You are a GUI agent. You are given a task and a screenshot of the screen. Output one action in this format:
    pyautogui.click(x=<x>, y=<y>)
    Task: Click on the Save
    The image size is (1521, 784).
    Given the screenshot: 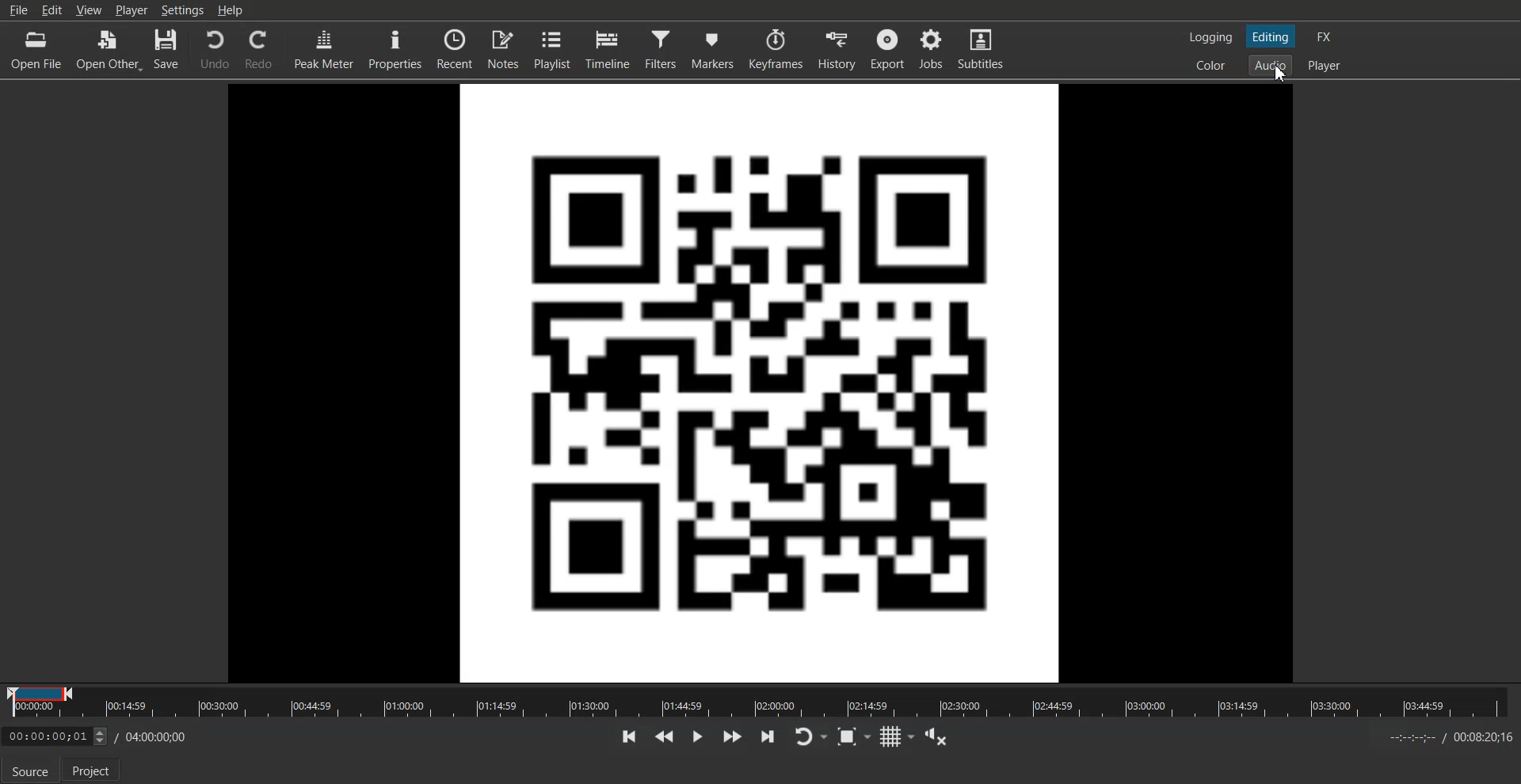 What is the action you would take?
    pyautogui.click(x=169, y=50)
    